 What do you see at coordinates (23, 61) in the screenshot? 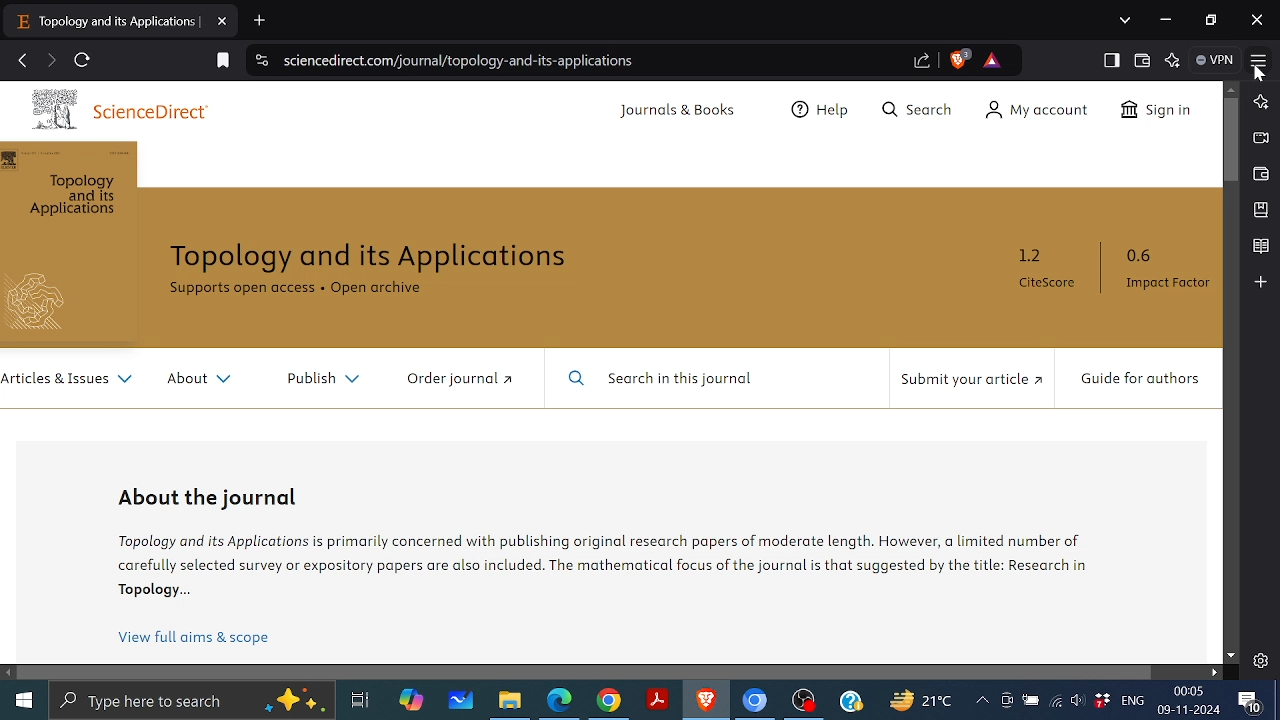
I see `Go back to previpous page` at bounding box center [23, 61].